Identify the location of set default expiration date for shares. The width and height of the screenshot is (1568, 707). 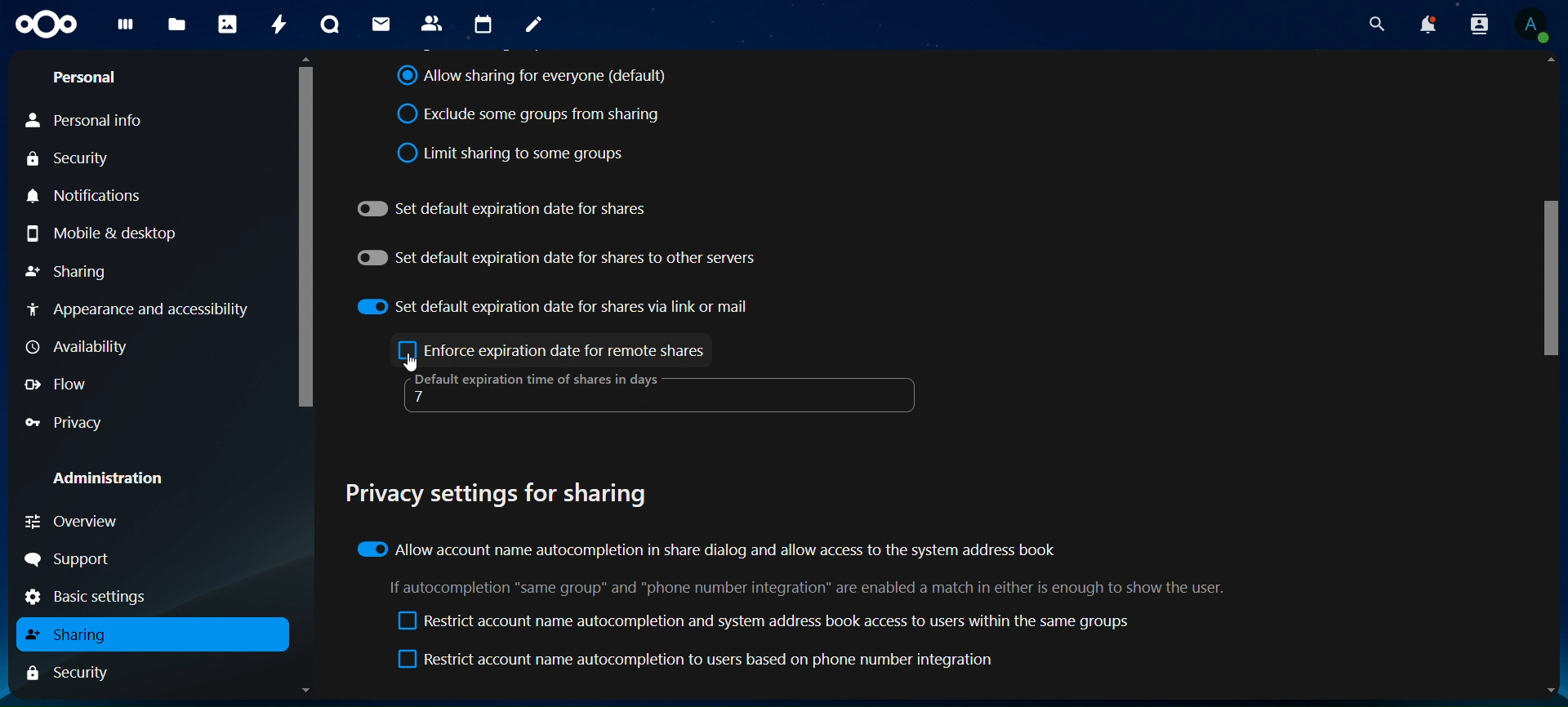
(503, 208).